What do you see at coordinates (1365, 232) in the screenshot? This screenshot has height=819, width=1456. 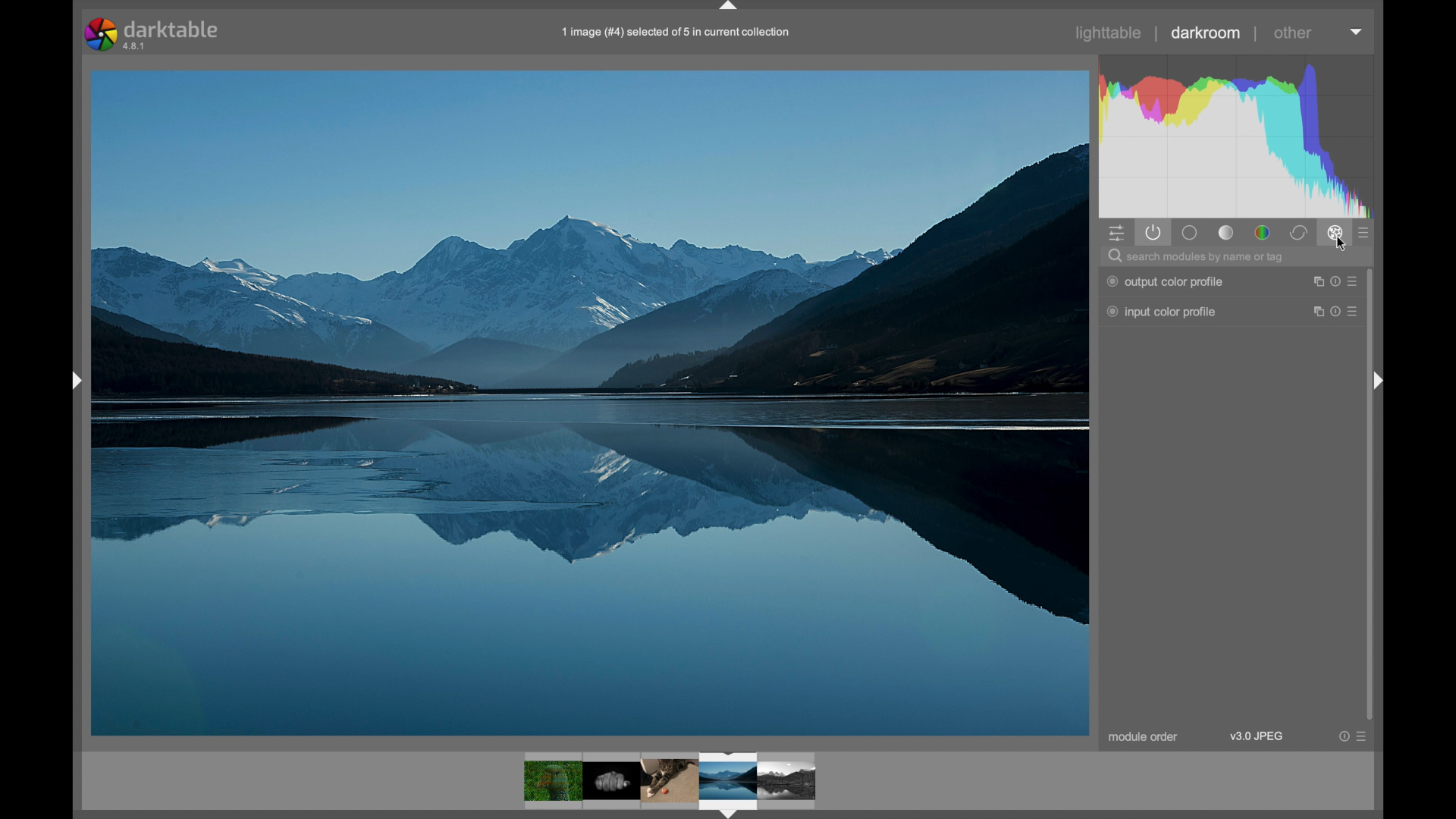 I see `presets` at bounding box center [1365, 232].